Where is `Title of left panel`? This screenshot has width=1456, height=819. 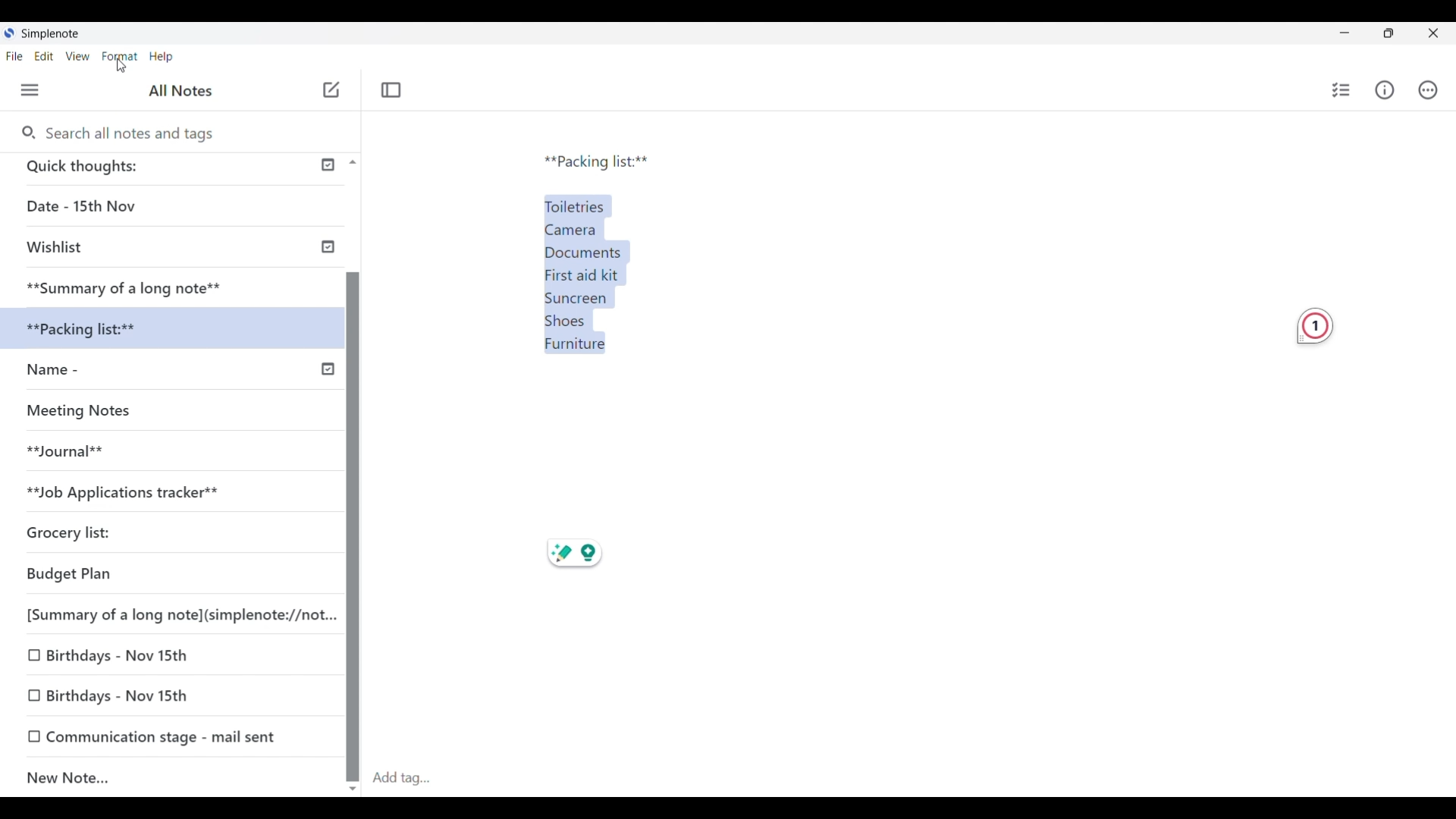 Title of left panel is located at coordinates (183, 89).